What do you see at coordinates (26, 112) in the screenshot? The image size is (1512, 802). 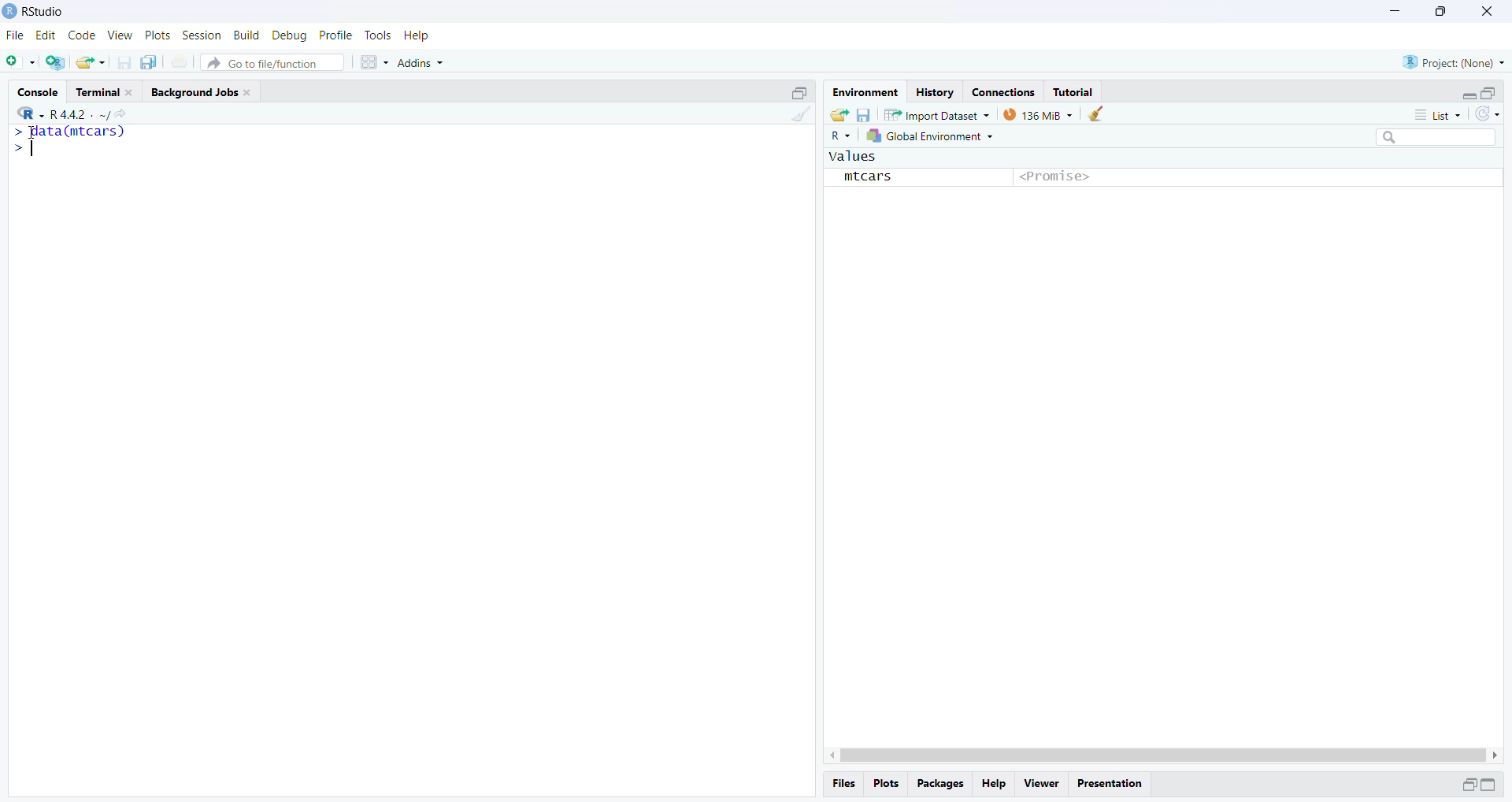 I see `R` at bounding box center [26, 112].